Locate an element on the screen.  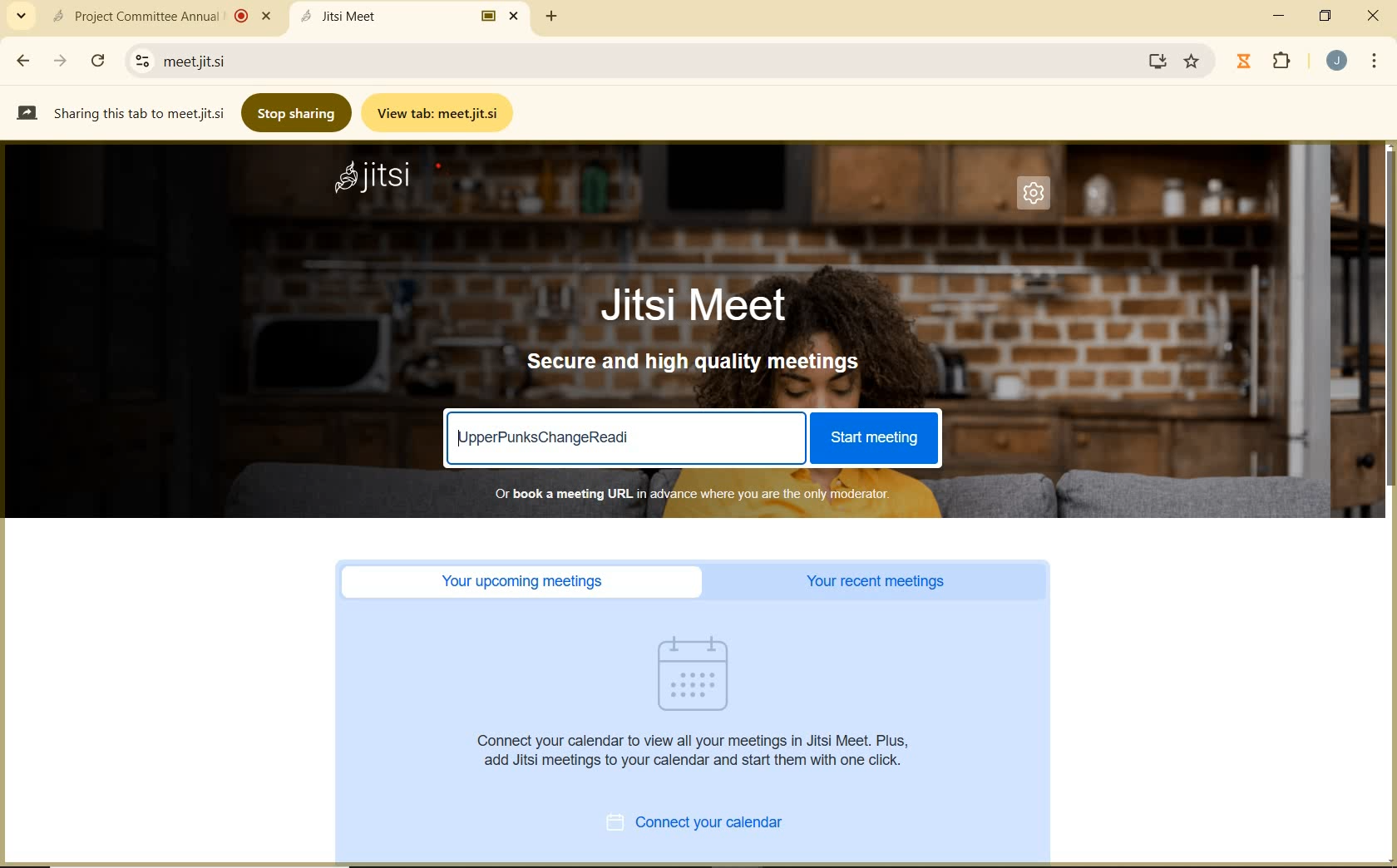
JITSI MEET is located at coordinates (708, 303).